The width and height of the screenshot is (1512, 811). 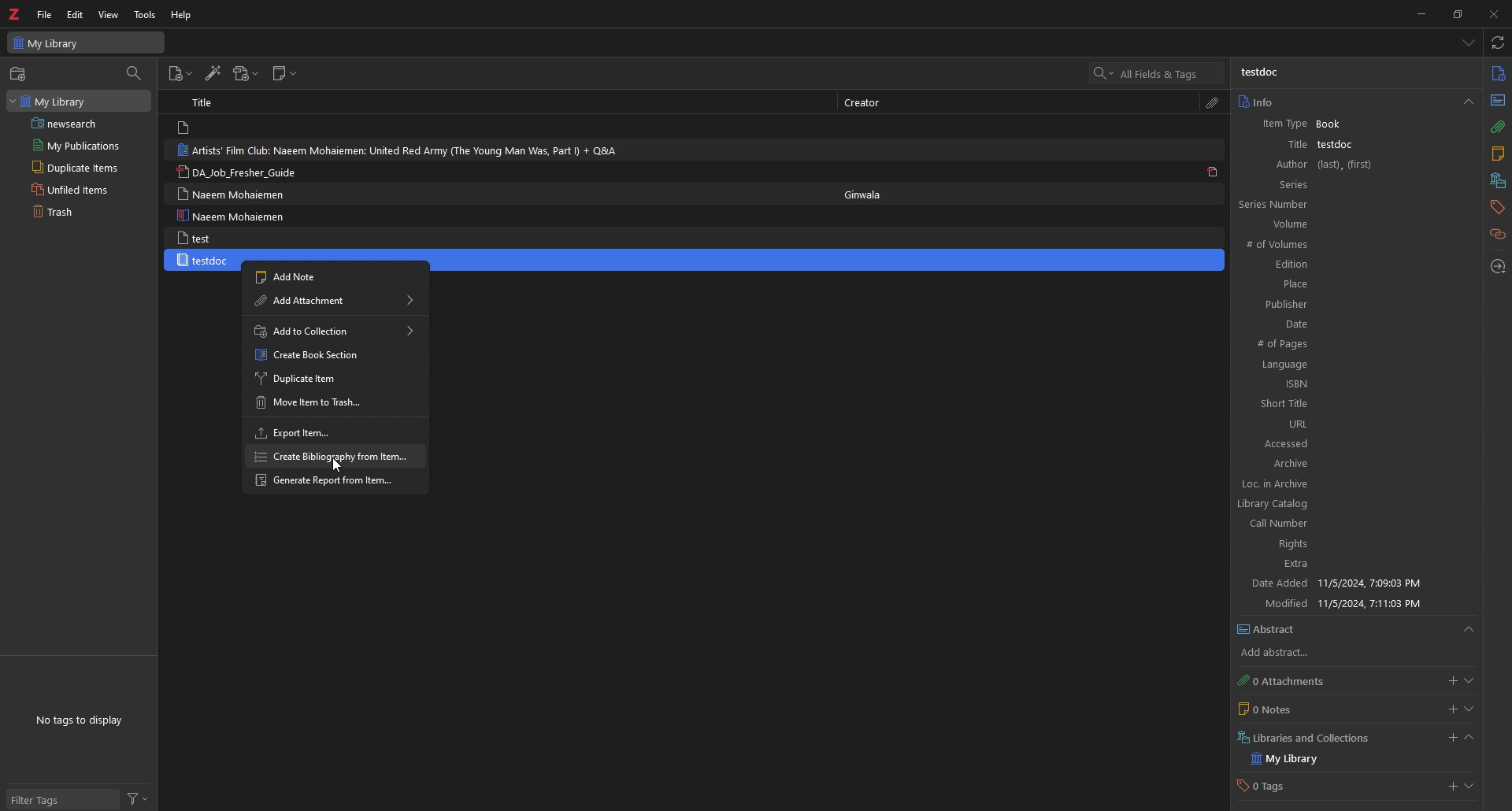 What do you see at coordinates (1345, 303) in the screenshot?
I see `Publisher` at bounding box center [1345, 303].